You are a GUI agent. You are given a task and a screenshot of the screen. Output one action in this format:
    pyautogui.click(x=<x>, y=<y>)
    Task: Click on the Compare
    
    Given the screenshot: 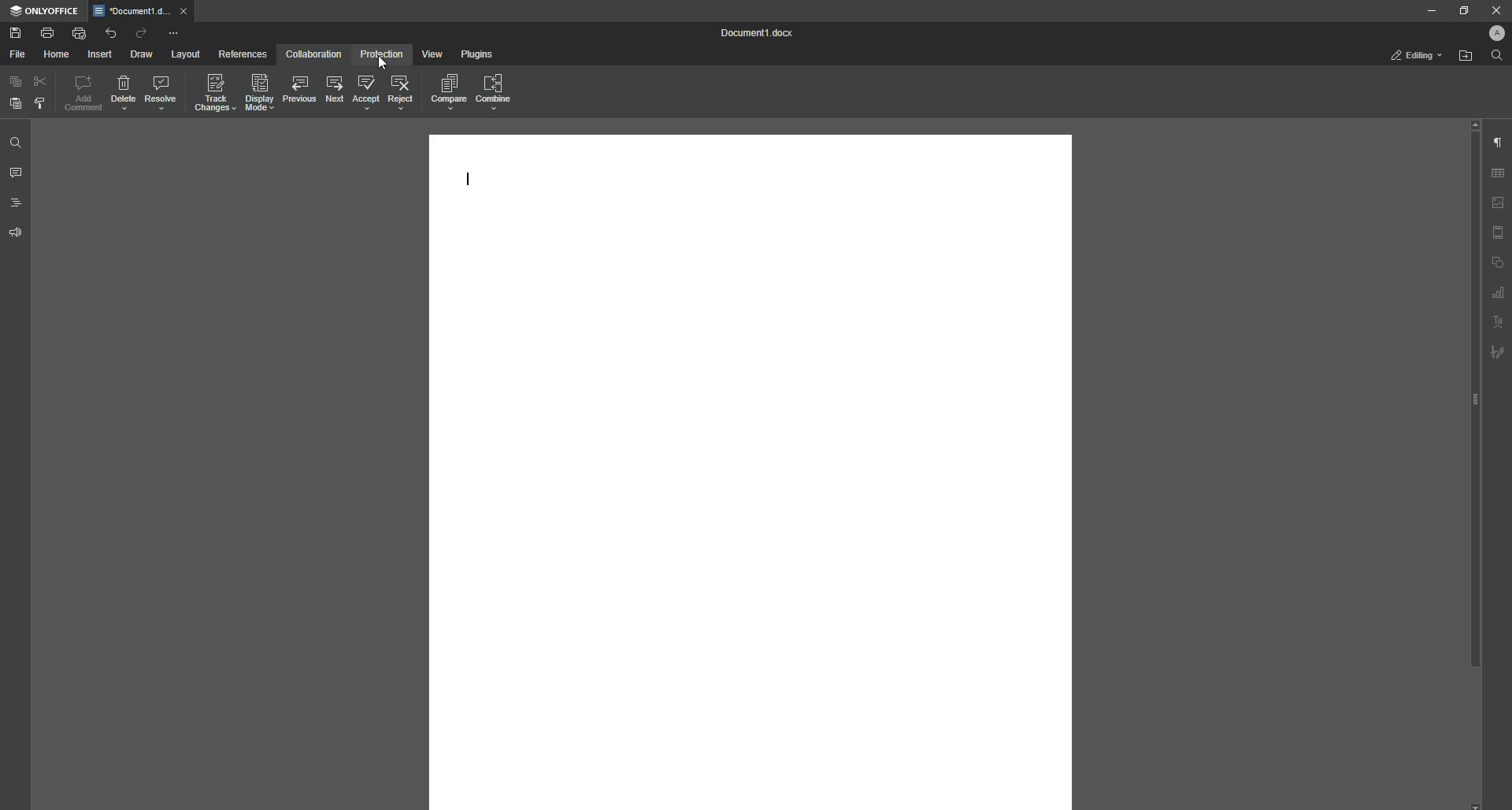 What is the action you would take?
    pyautogui.click(x=448, y=91)
    